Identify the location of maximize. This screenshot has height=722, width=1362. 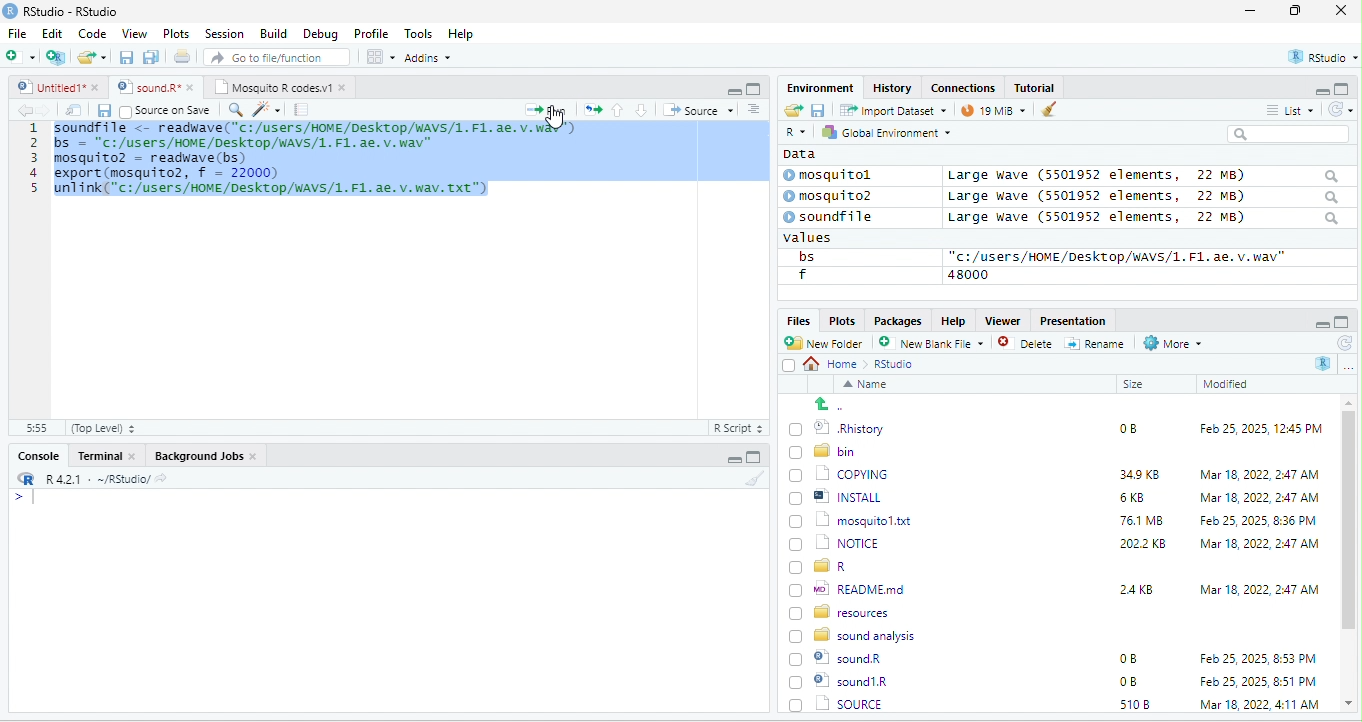
(1342, 322).